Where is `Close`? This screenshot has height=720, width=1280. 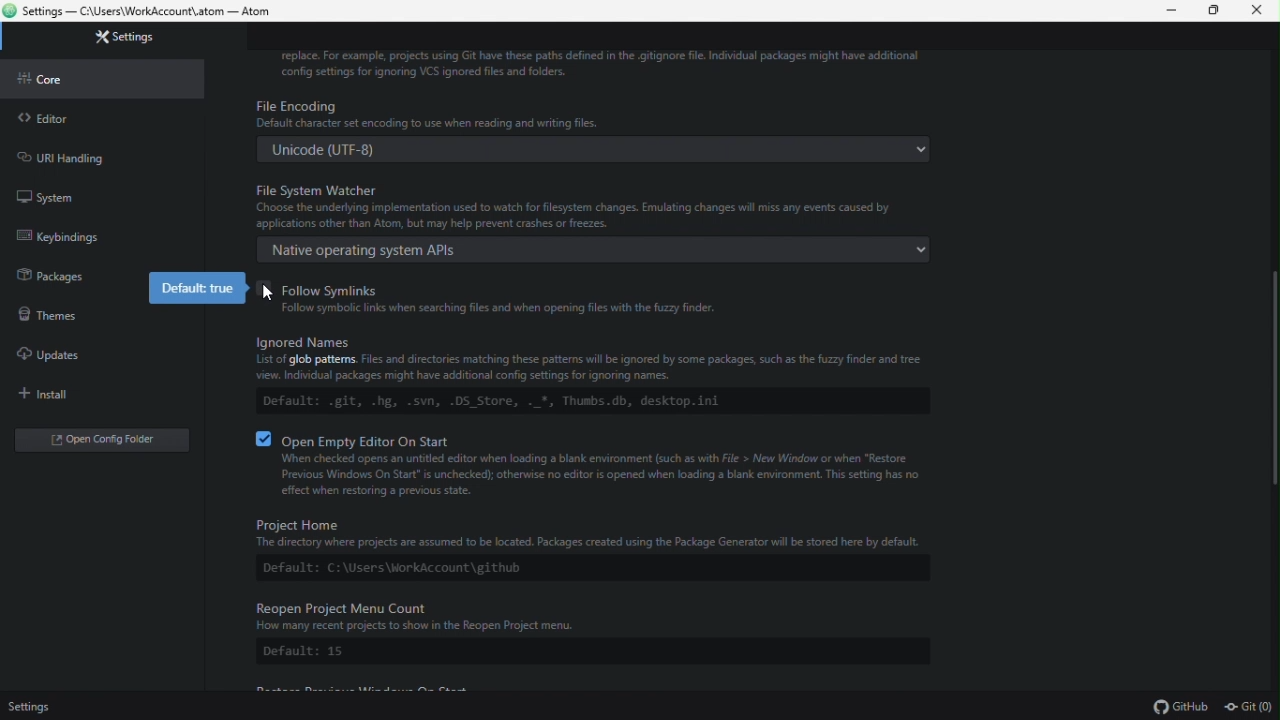
Close is located at coordinates (1258, 11).